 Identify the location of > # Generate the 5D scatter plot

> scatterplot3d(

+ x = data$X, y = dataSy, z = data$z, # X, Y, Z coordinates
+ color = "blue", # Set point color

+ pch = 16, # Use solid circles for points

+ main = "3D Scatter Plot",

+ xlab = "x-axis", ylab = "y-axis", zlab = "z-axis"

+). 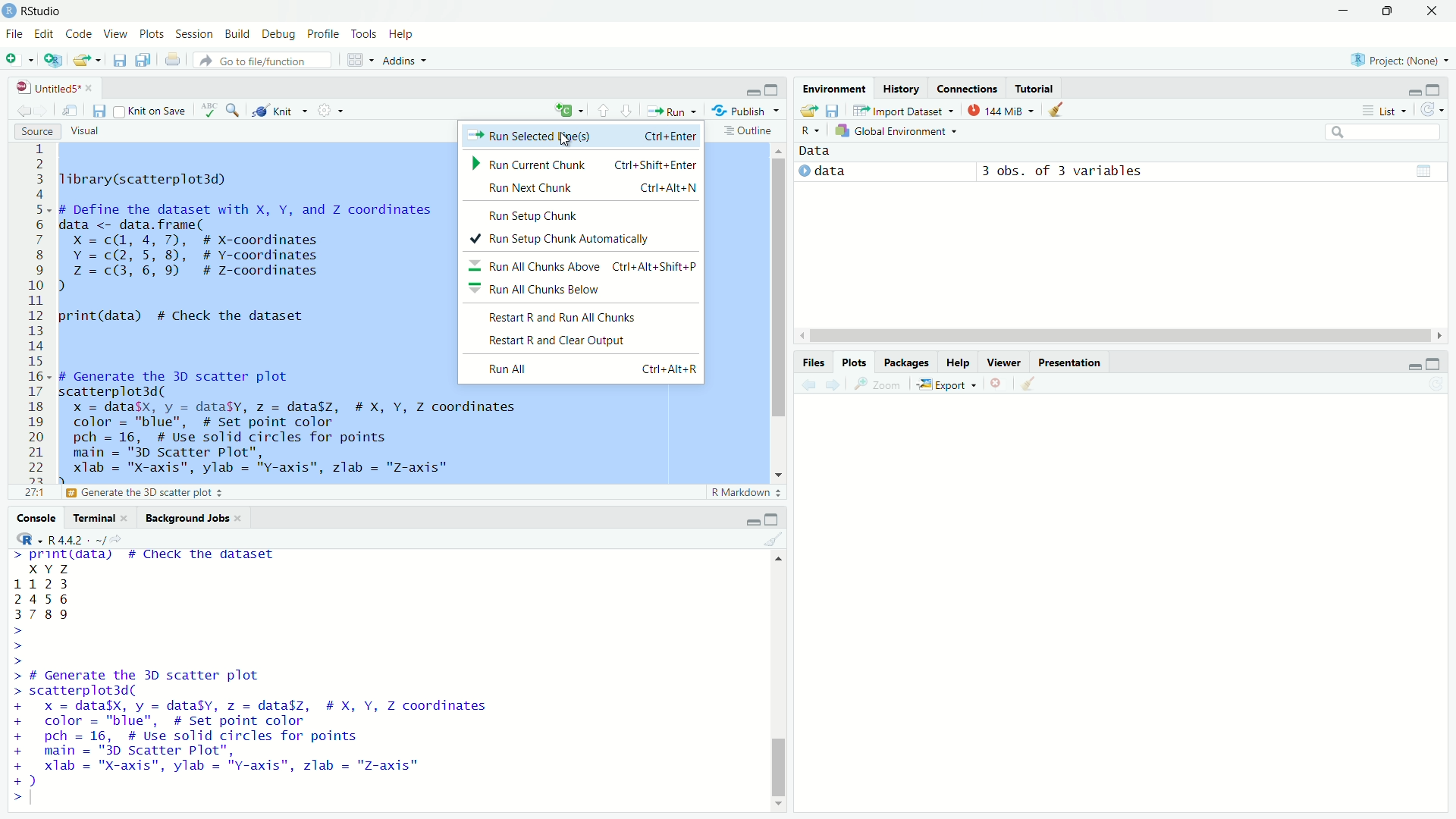
(276, 728).